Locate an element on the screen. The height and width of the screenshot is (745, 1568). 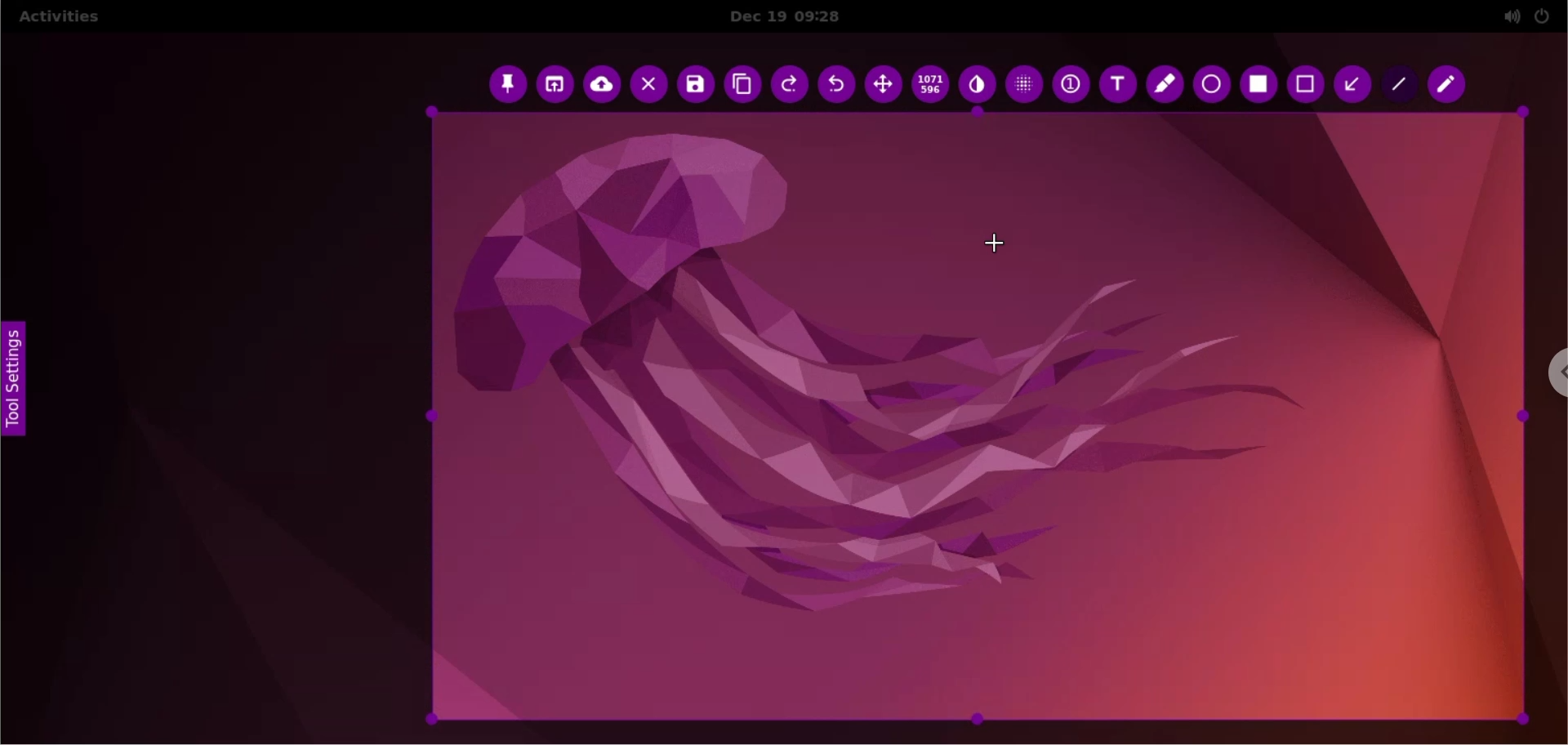
undo is located at coordinates (840, 84).